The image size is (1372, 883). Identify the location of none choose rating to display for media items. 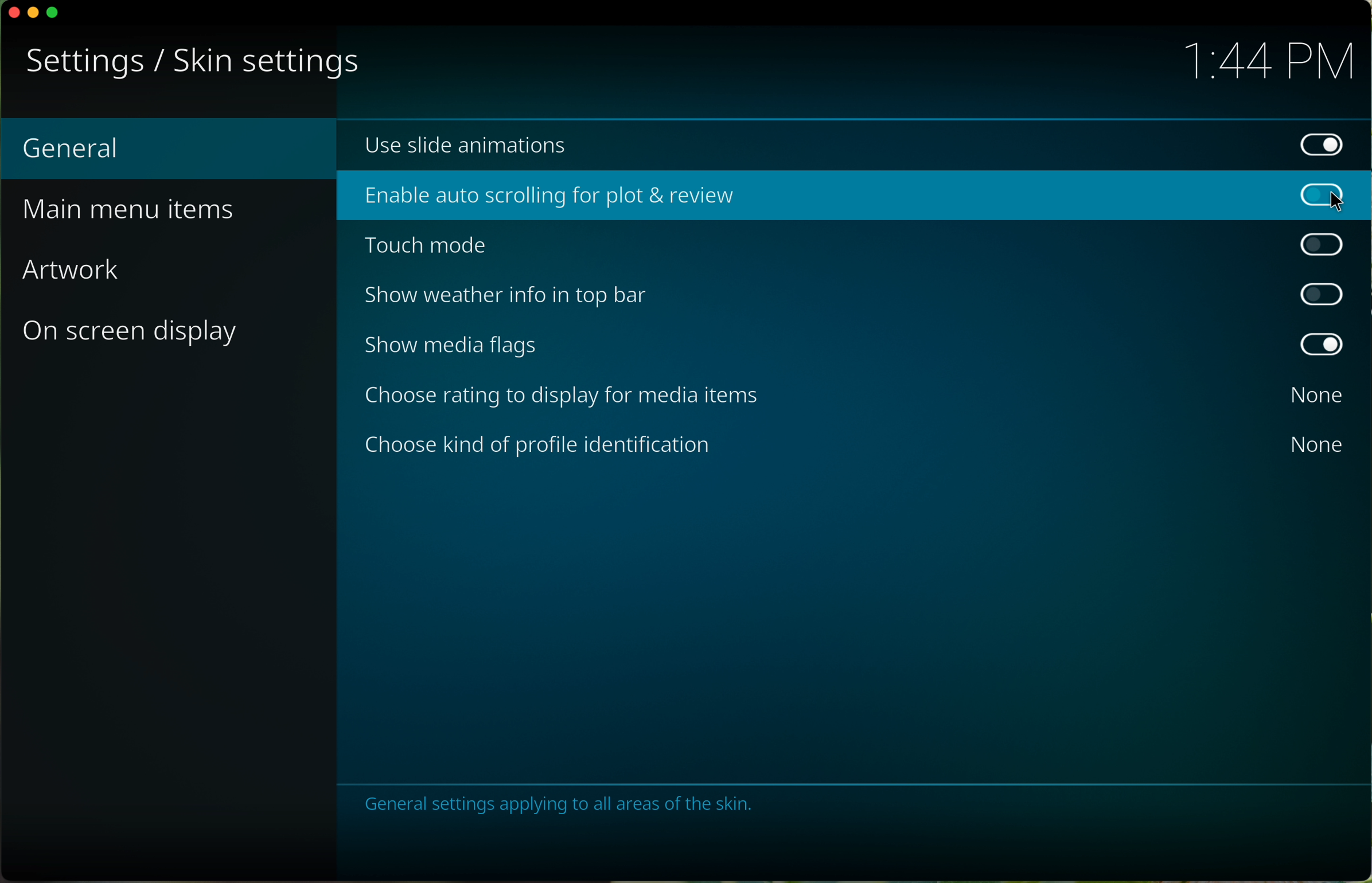
(851, 396).